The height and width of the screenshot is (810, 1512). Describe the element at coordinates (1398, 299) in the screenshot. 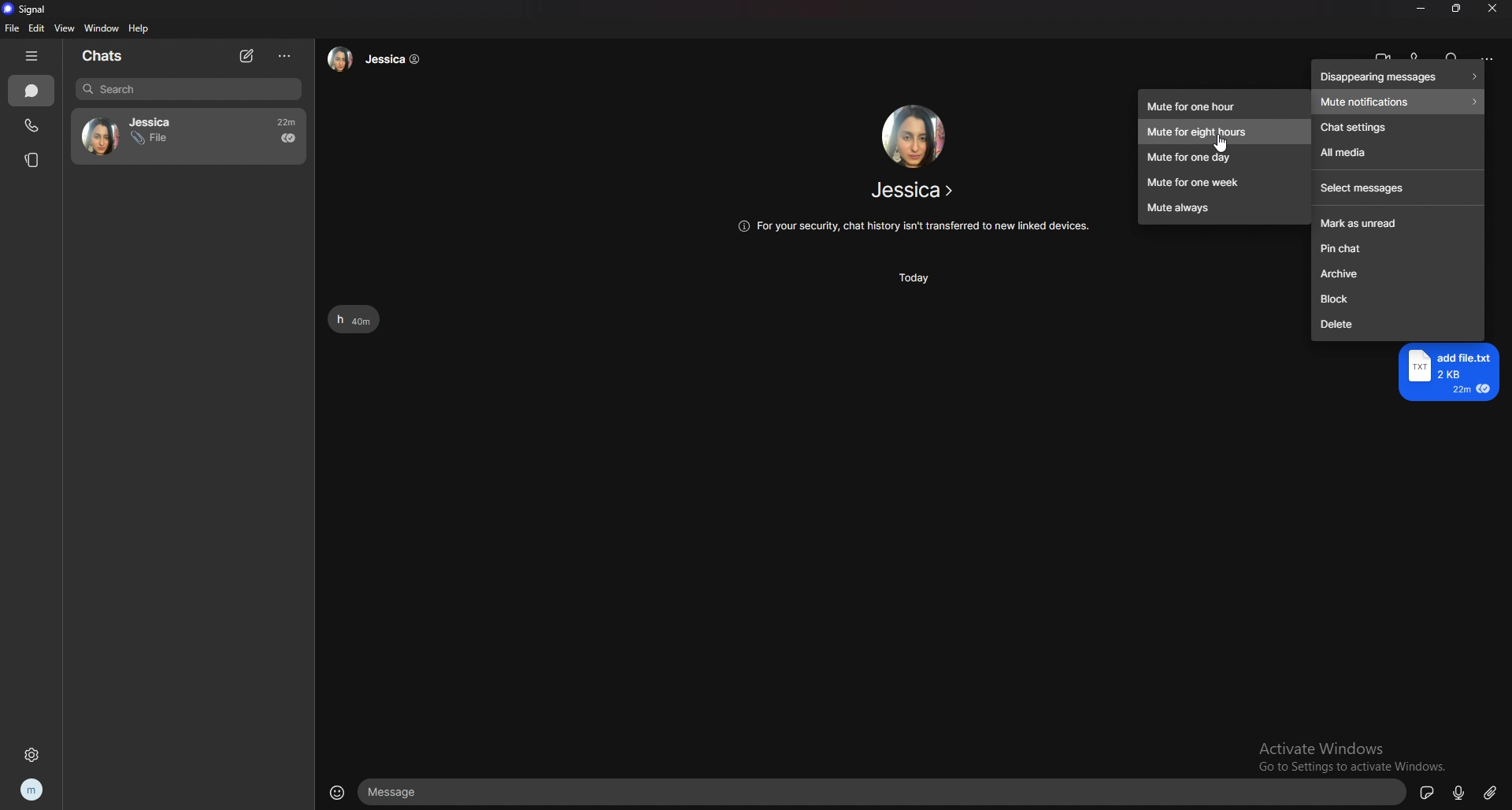

I see `block` at that location.